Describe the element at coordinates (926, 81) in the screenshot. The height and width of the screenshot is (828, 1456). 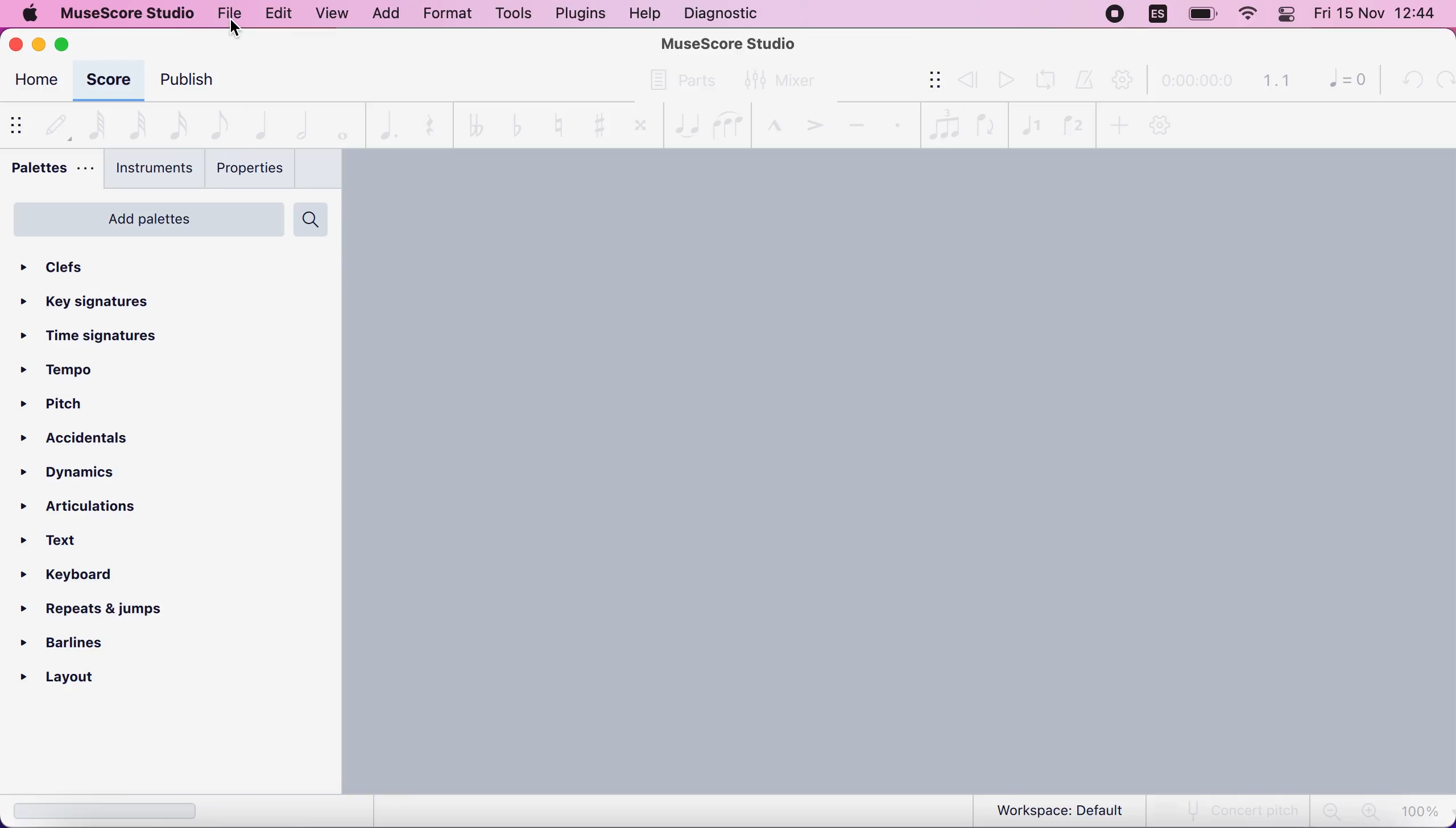
I see `show/hide` at that location.